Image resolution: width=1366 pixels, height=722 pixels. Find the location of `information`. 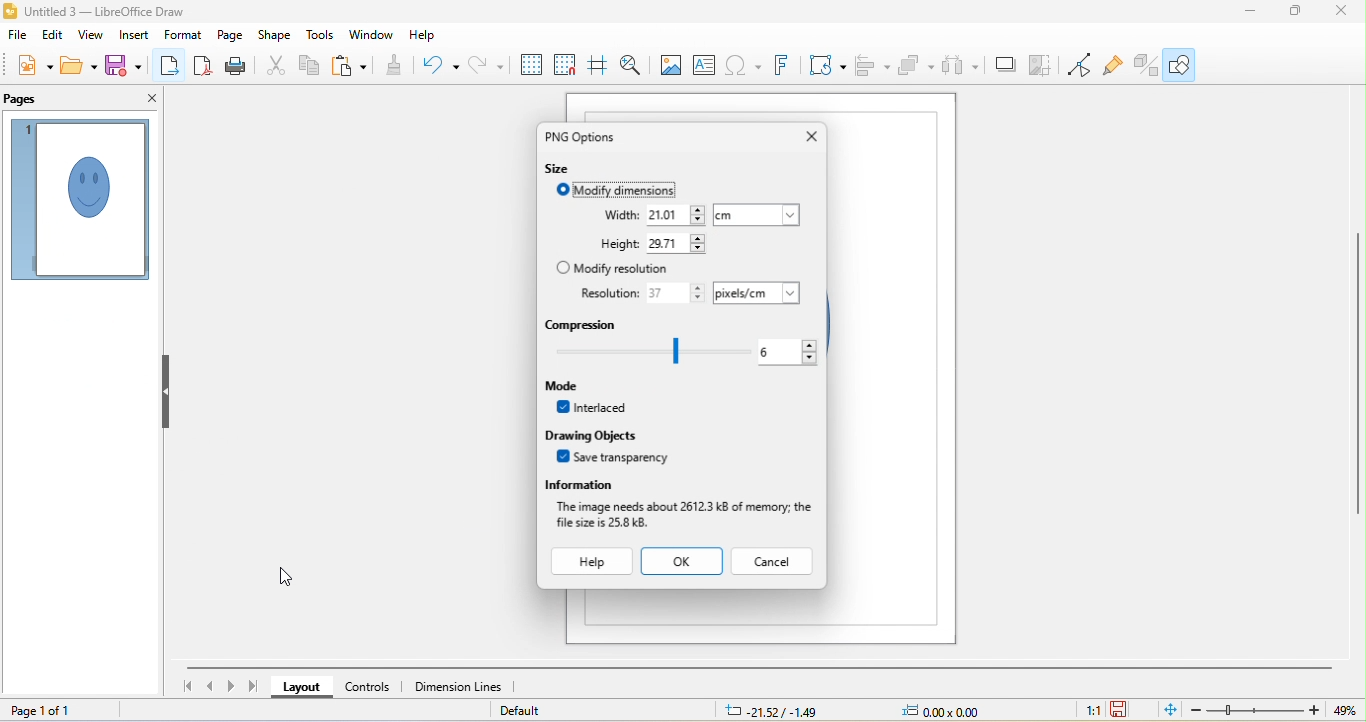

information is located at coordinates (581, 485).